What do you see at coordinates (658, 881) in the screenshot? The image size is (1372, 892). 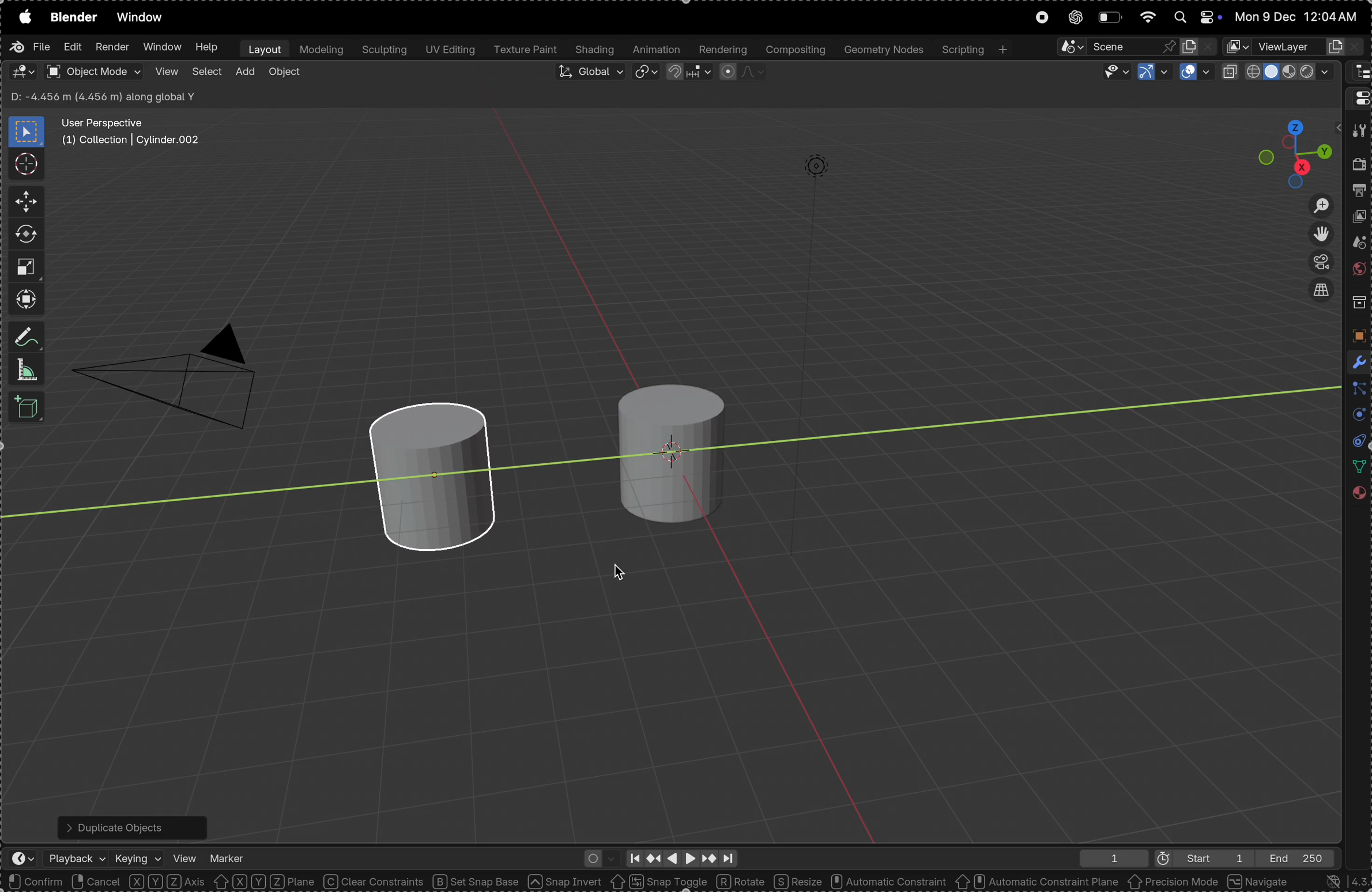 I see `snap toggle` at bounding box center [658, 881].